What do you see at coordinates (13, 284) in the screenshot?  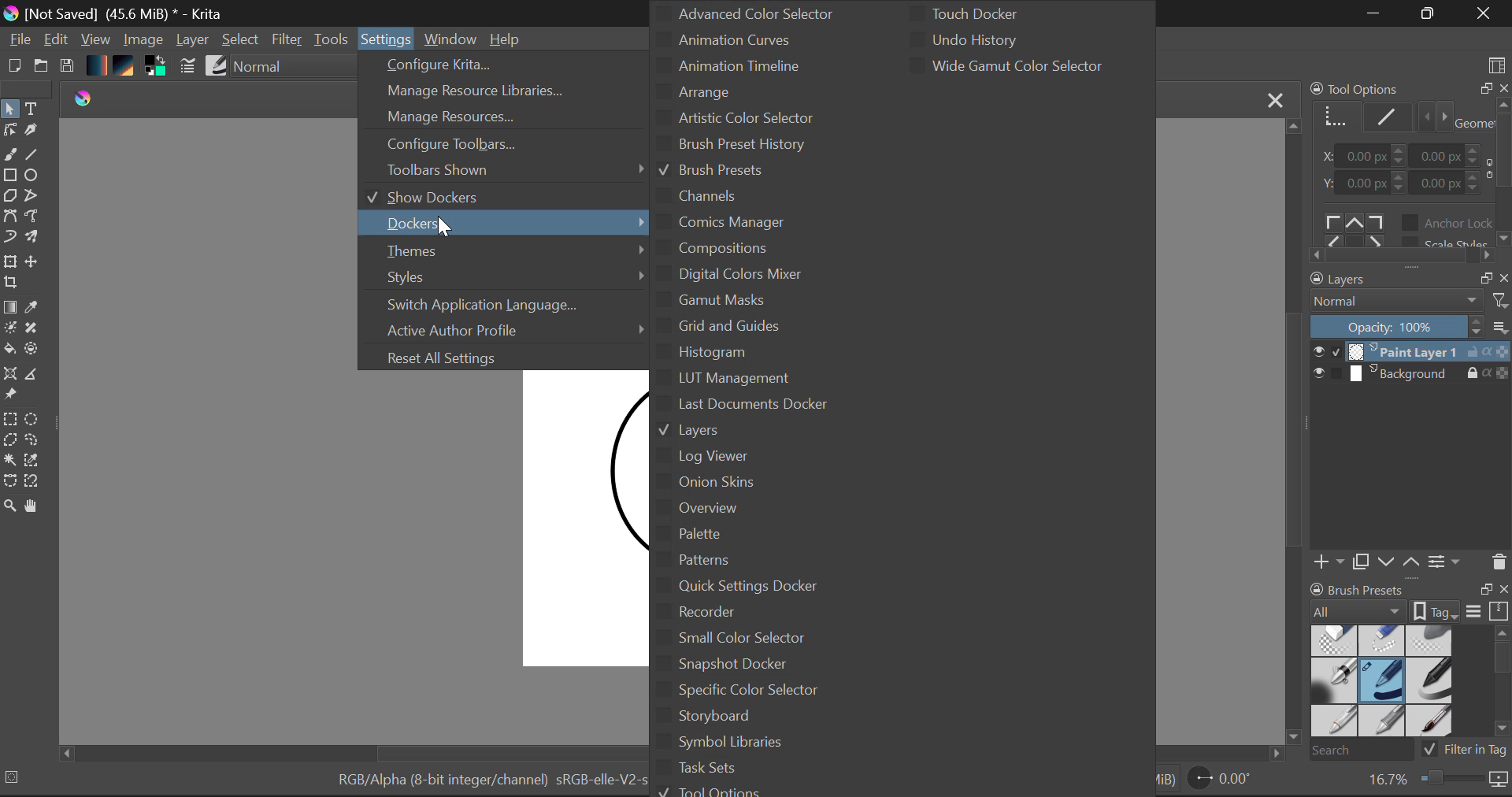 I see `Crop` at bounding box center [13, 284].